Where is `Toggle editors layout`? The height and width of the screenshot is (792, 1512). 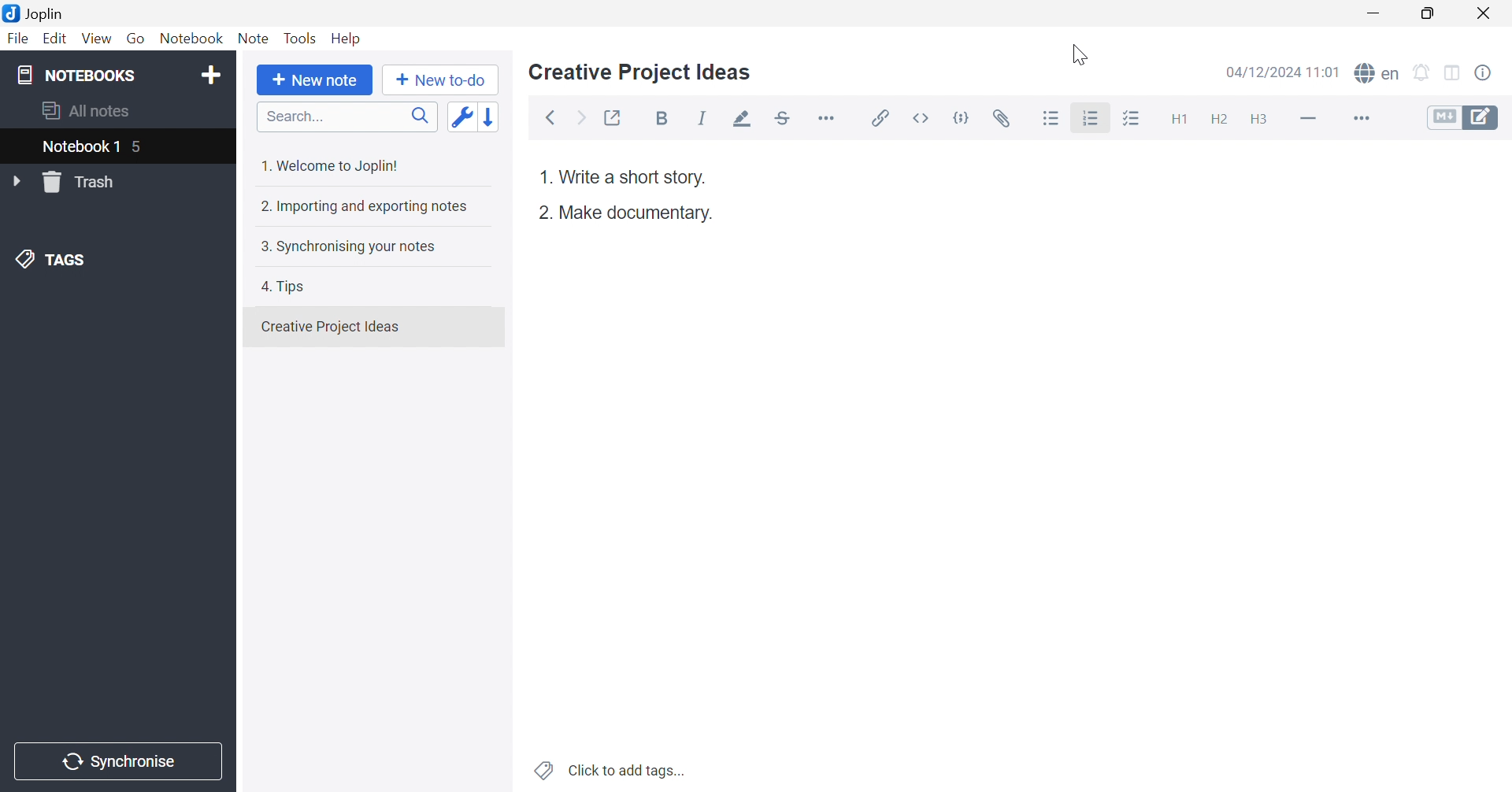 Toggle editors layout is located at coordinates (1452, 71).